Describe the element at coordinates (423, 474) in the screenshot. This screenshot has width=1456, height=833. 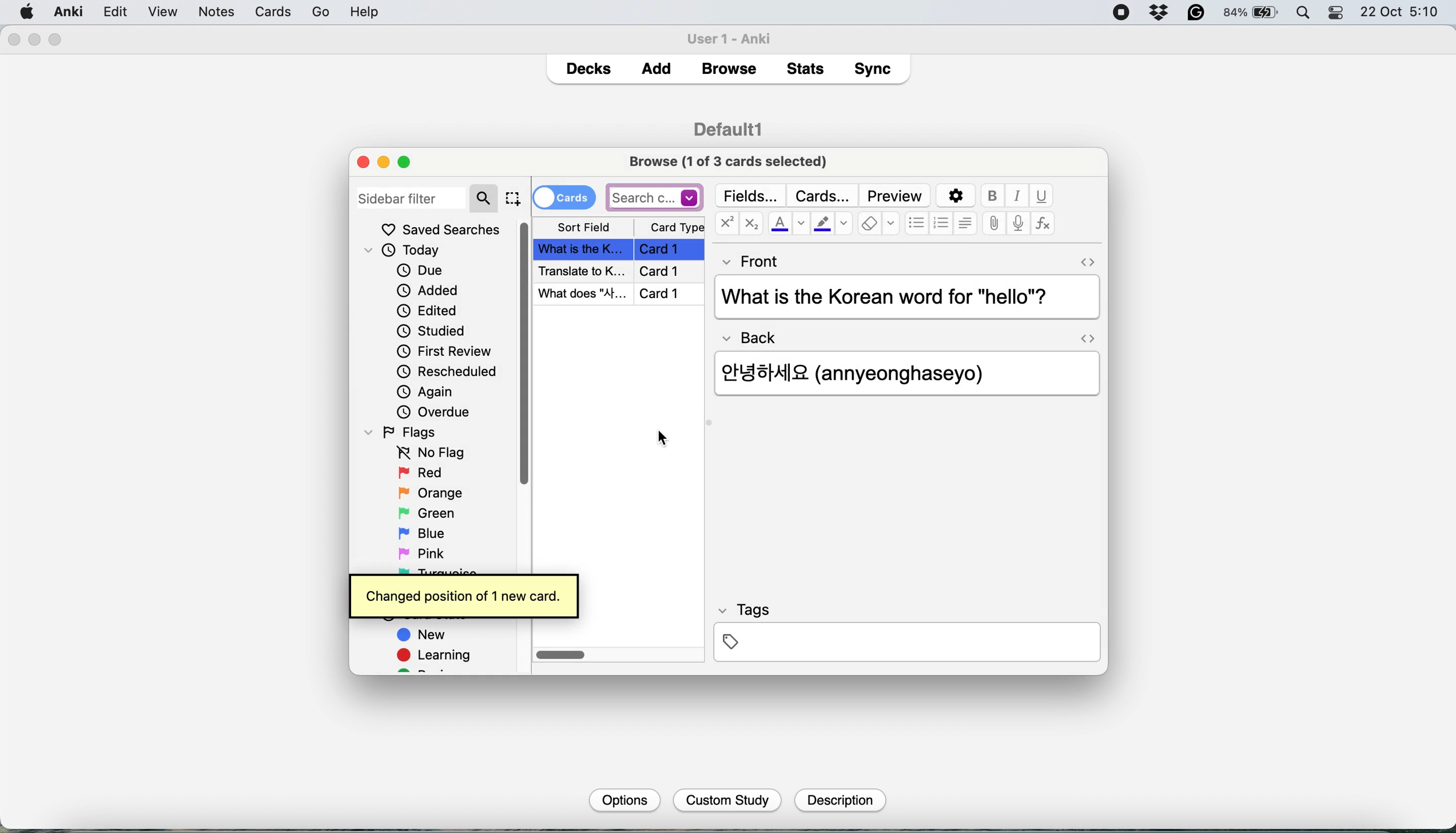
I see `red` at that location.